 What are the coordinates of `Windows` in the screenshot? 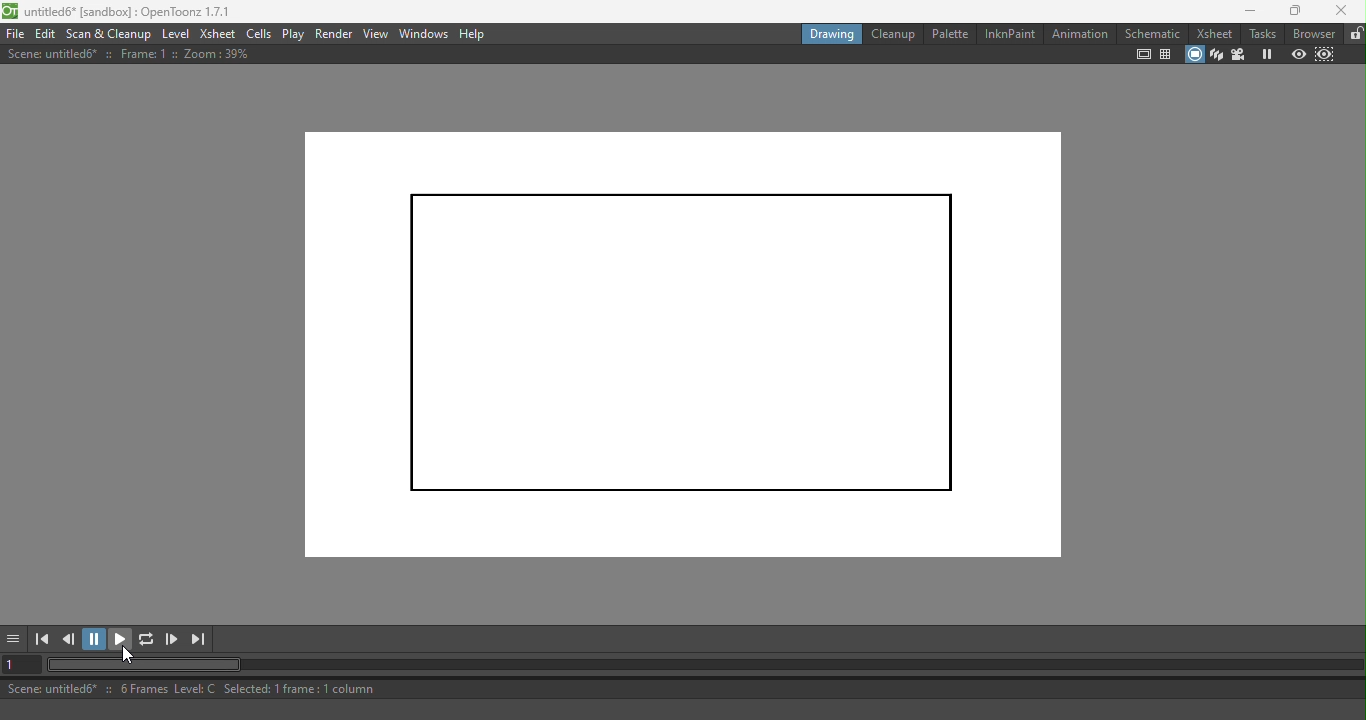 It's located at (422, 35).